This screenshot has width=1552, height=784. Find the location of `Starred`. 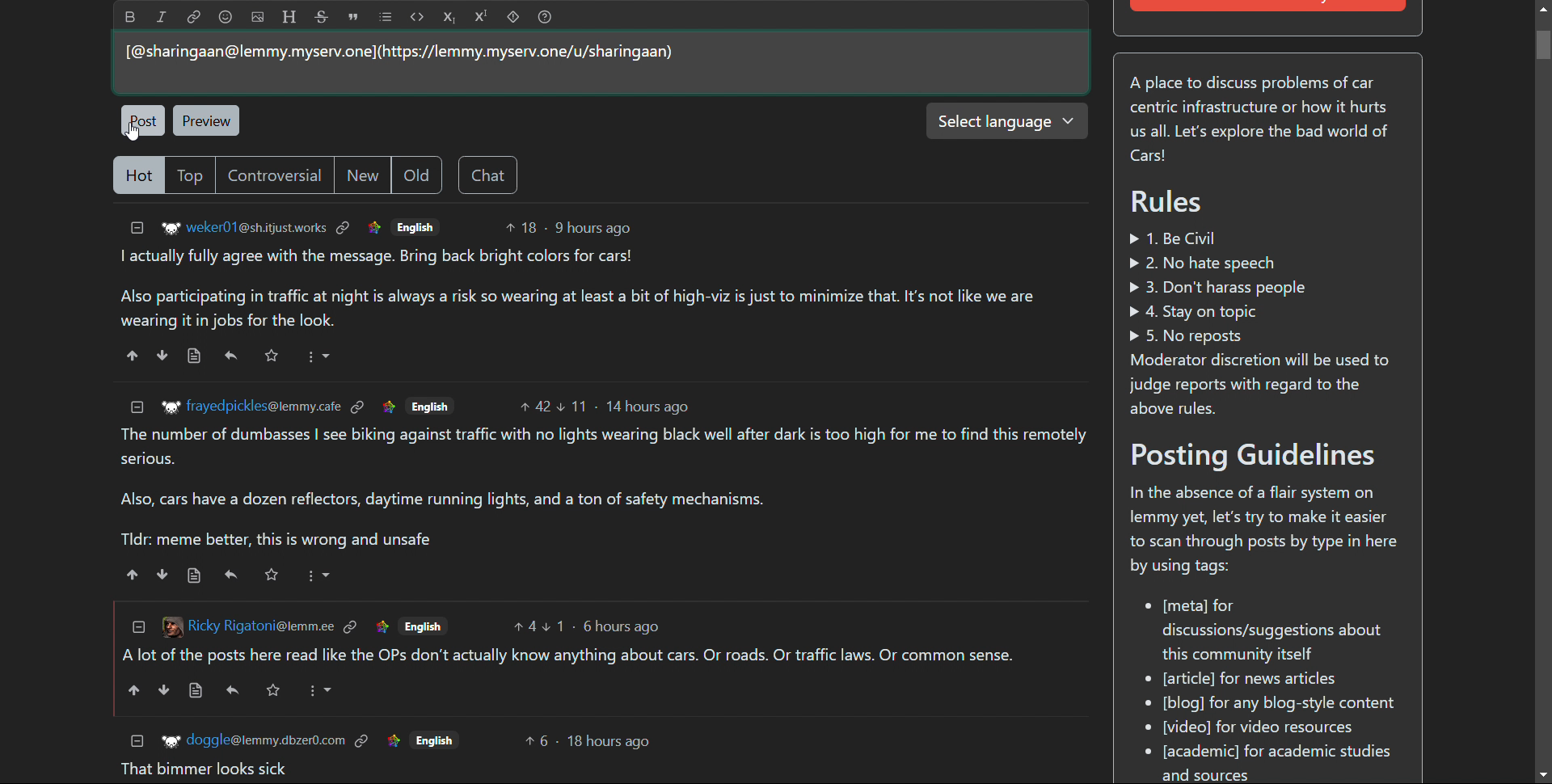

Starred is located at coordinates (271, 574).